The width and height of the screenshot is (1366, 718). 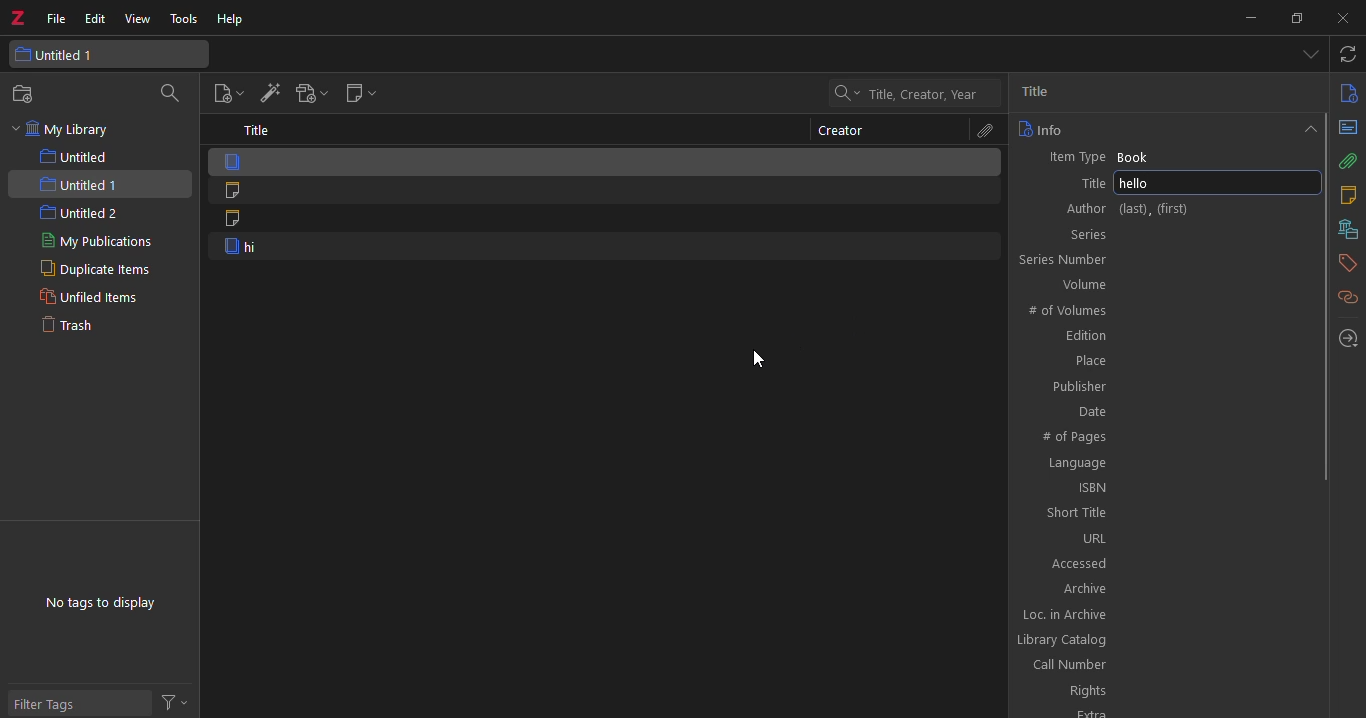 What do you see at coordinates (1168, 587) in the screenshot?
I see `archive` at bounding box center [1168, 587].